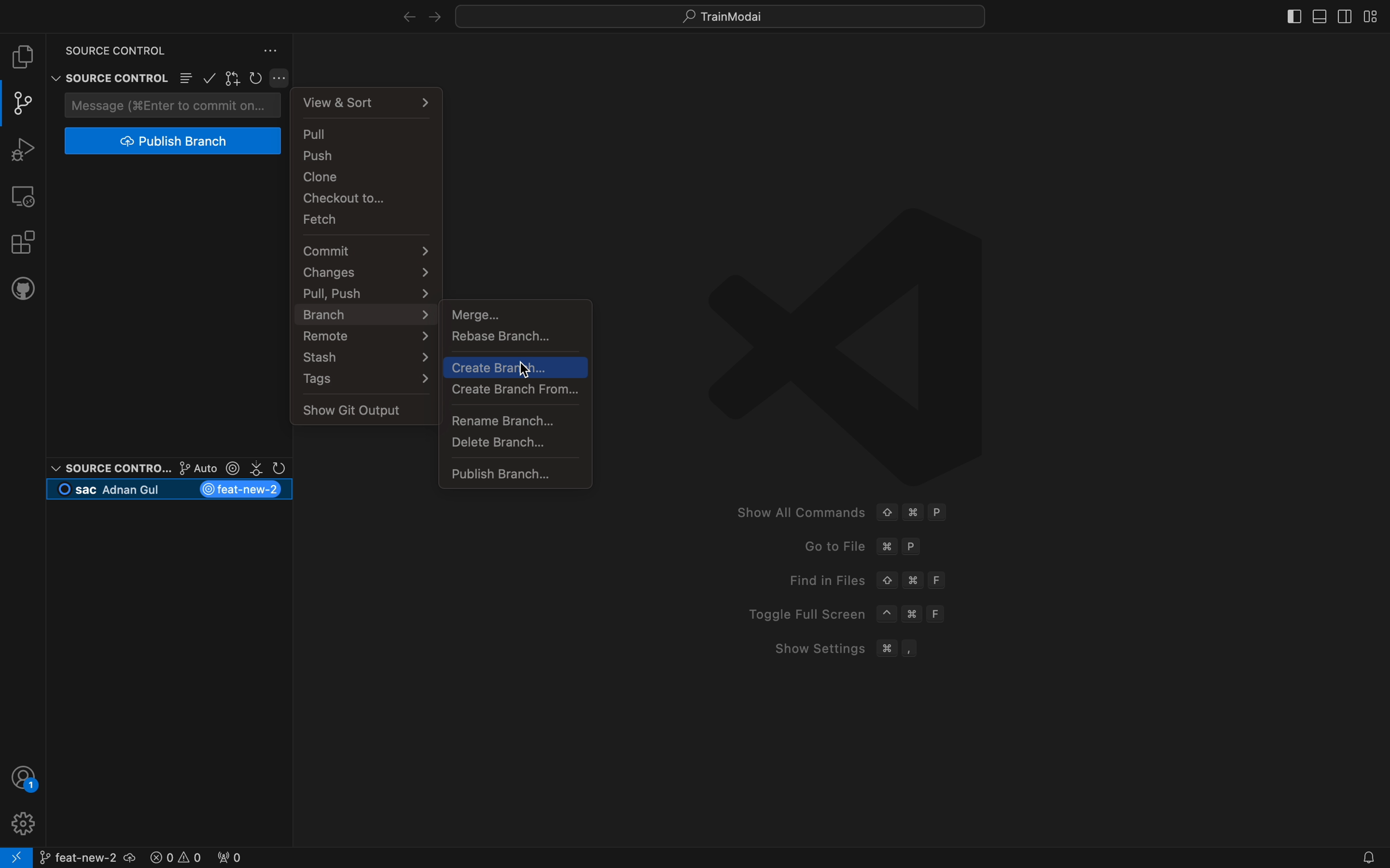 This screenshot has width=1390, height=868. I want to click on git settings, so click(281, 78).